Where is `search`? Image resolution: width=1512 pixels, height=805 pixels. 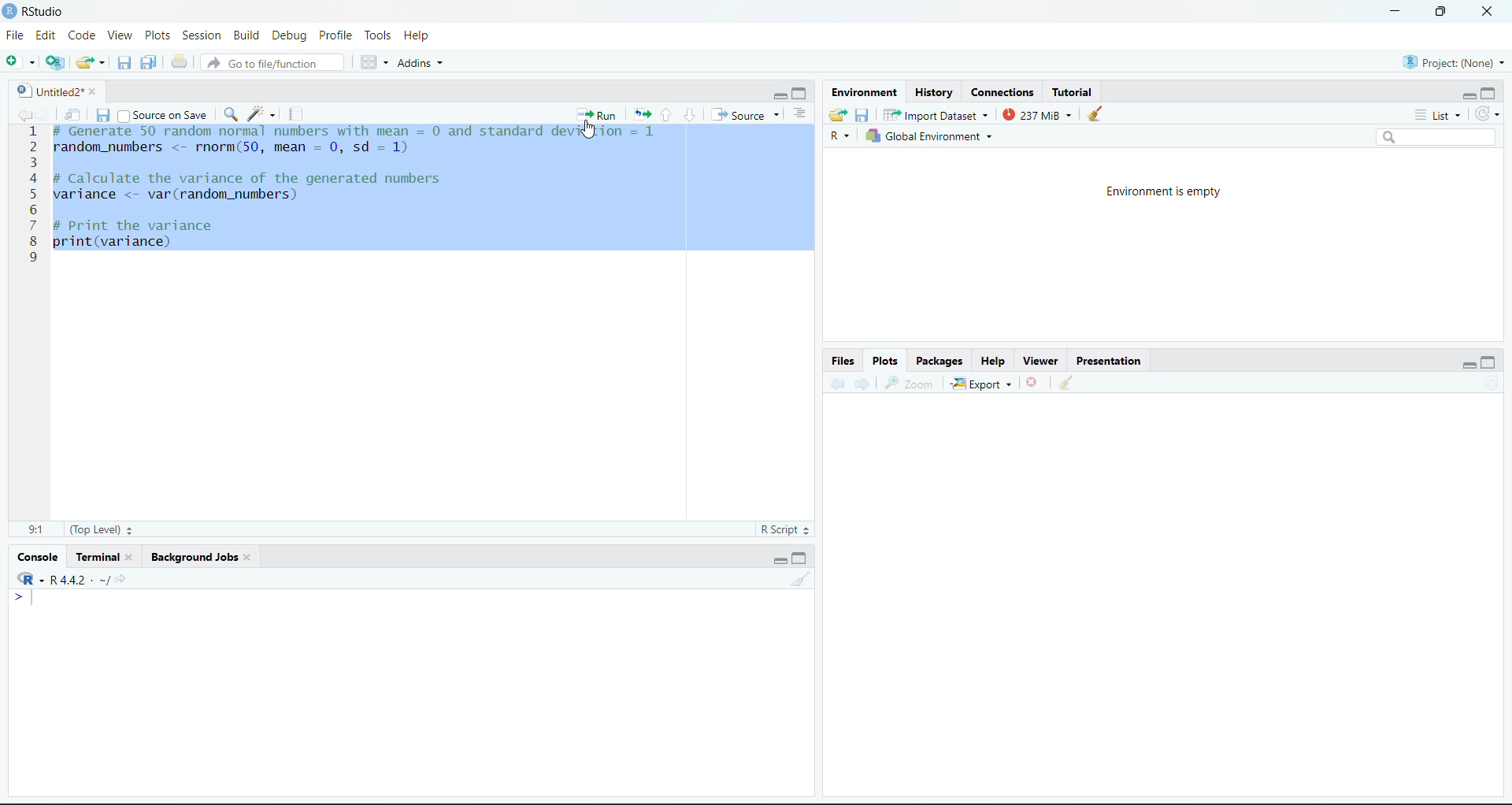
search is located at coordinates (230, 114).